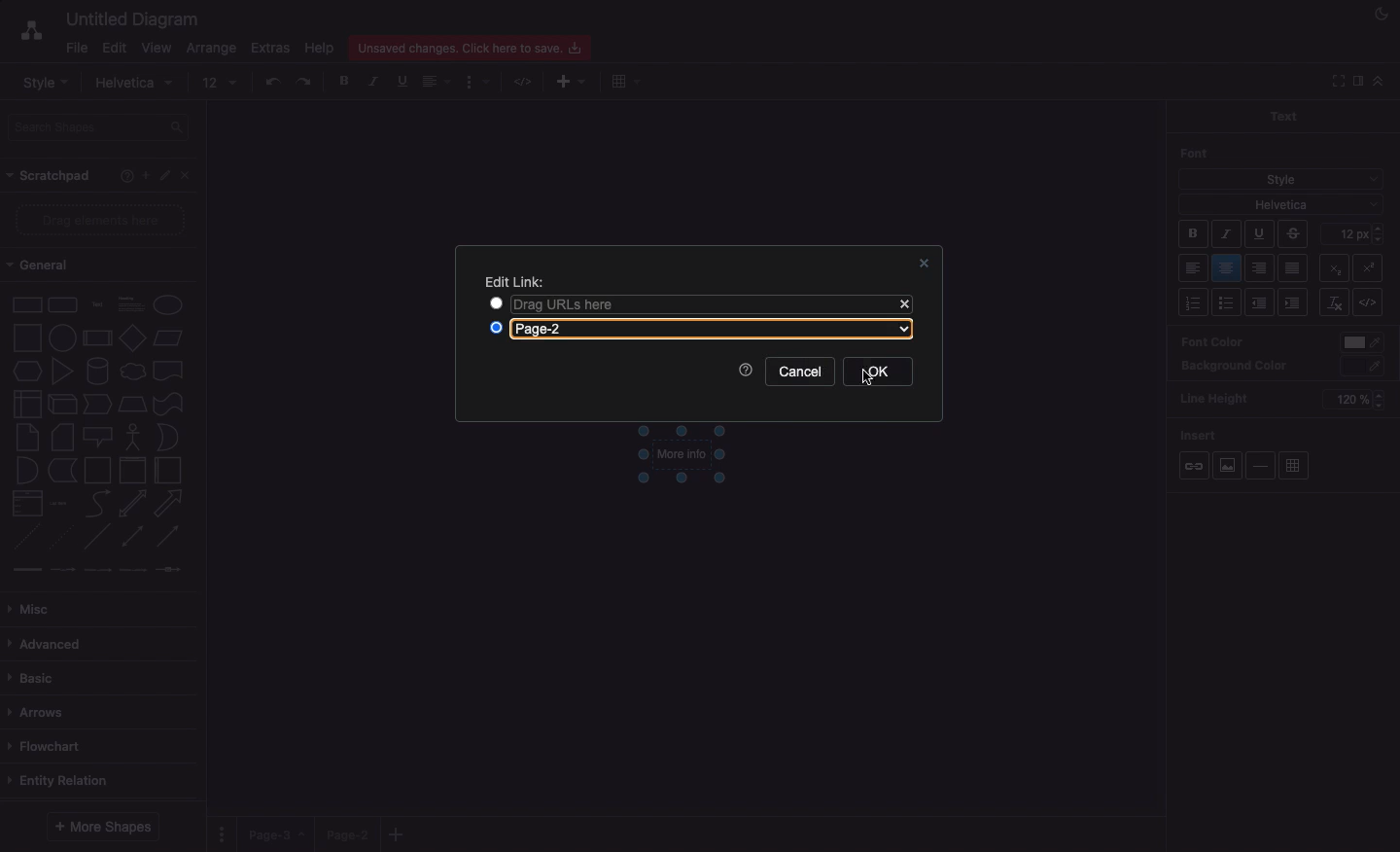 Image resolution: width=1400 pixels, height=852 pixels. What do you see at coordinates (145, 174) in the screenshot?
I see `Add` at bounding box center [145, 174].